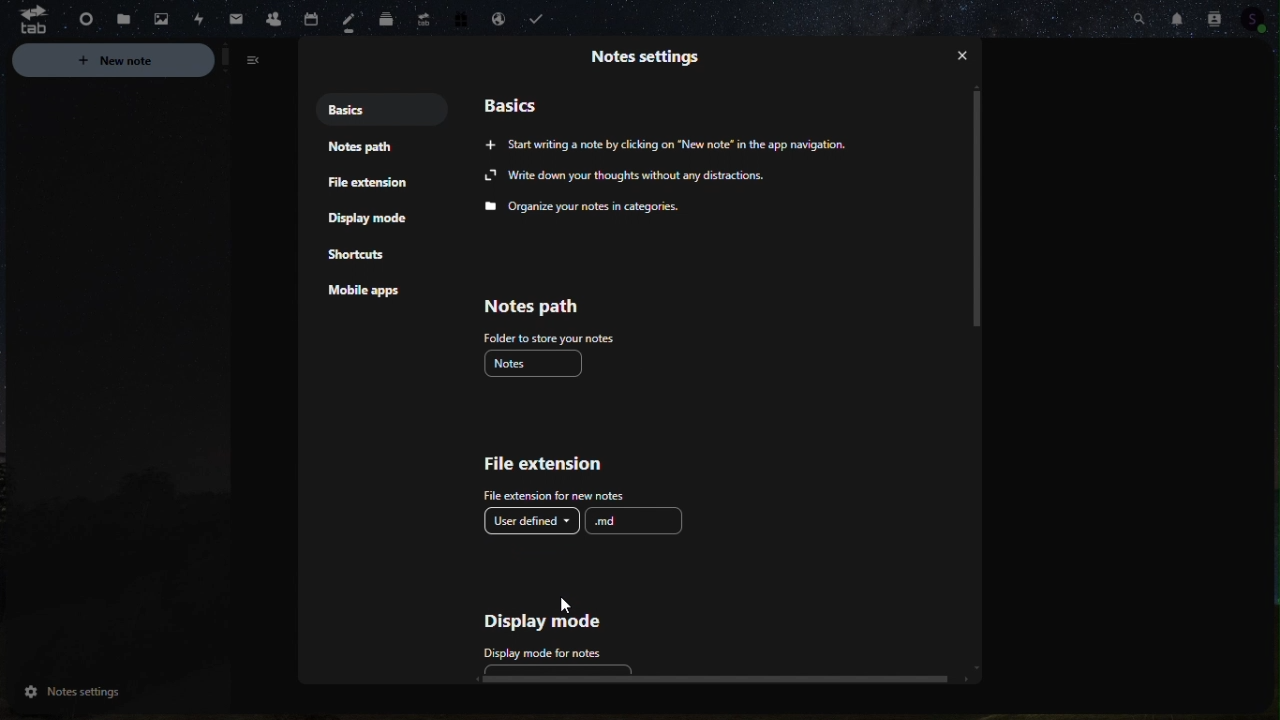  I want to click on New note, so click(144, 61).